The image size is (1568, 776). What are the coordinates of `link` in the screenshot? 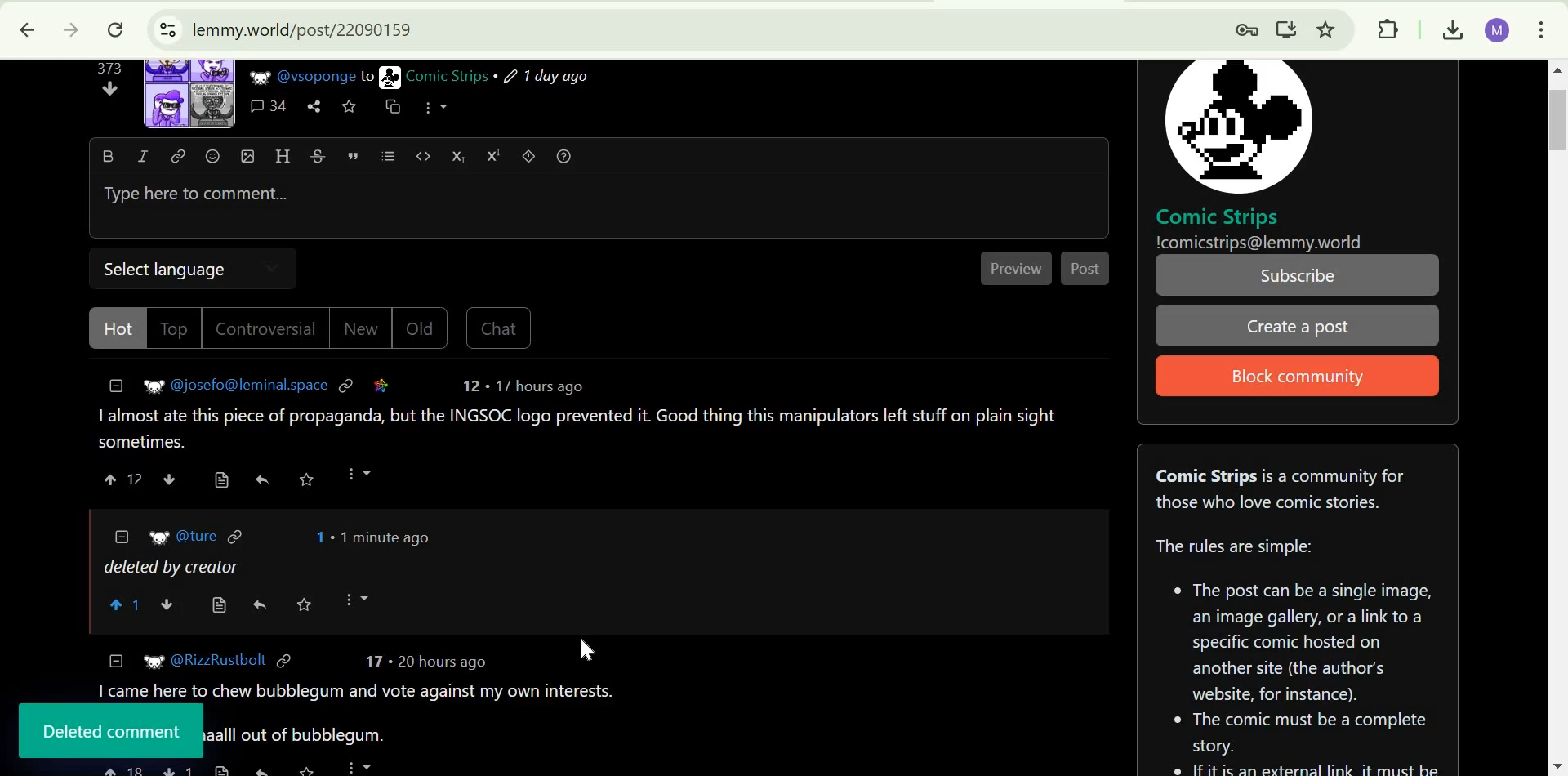 It's located at (381, 385).